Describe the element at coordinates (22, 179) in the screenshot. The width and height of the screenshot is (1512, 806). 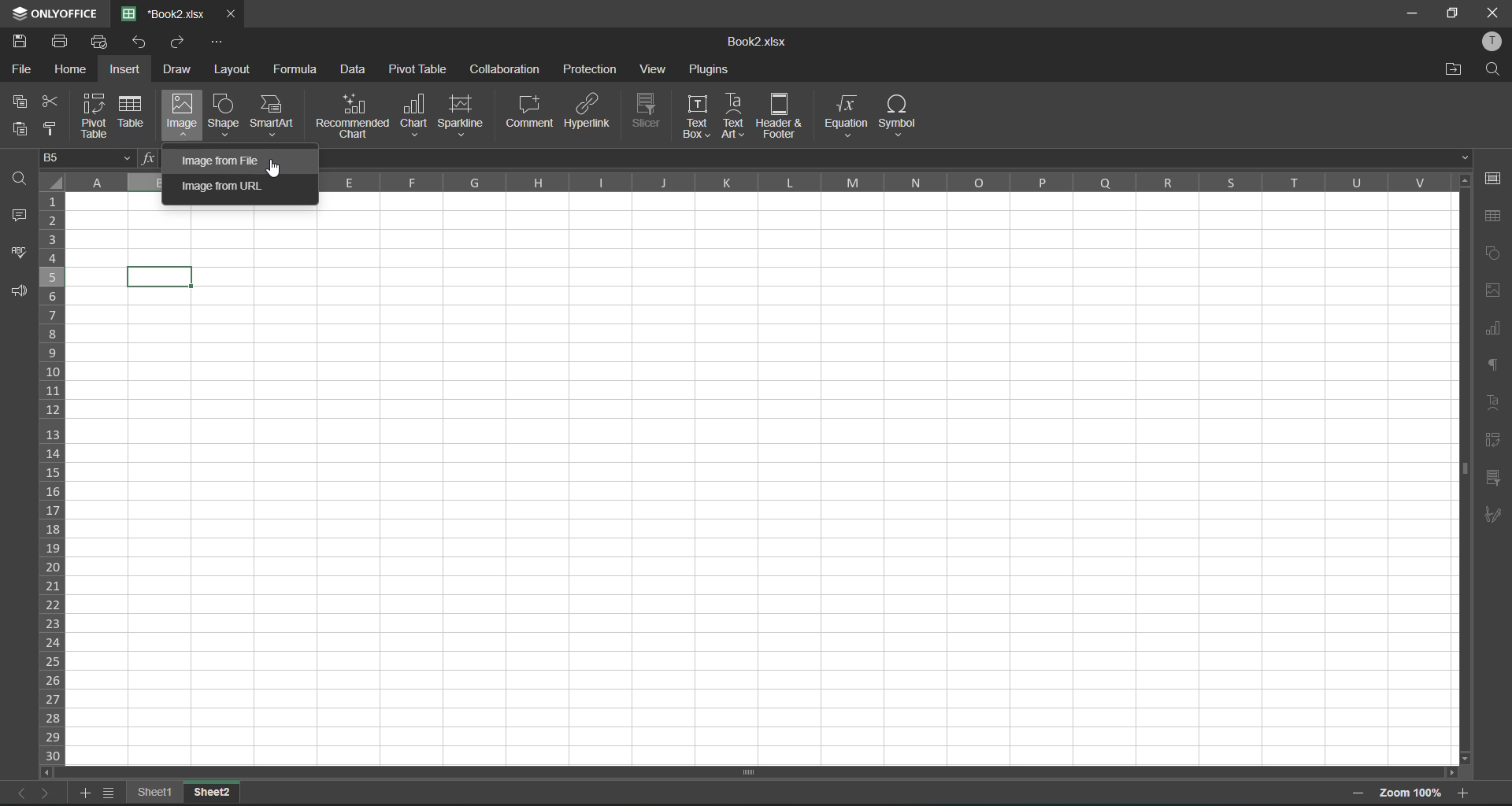
I see `find` at that location.